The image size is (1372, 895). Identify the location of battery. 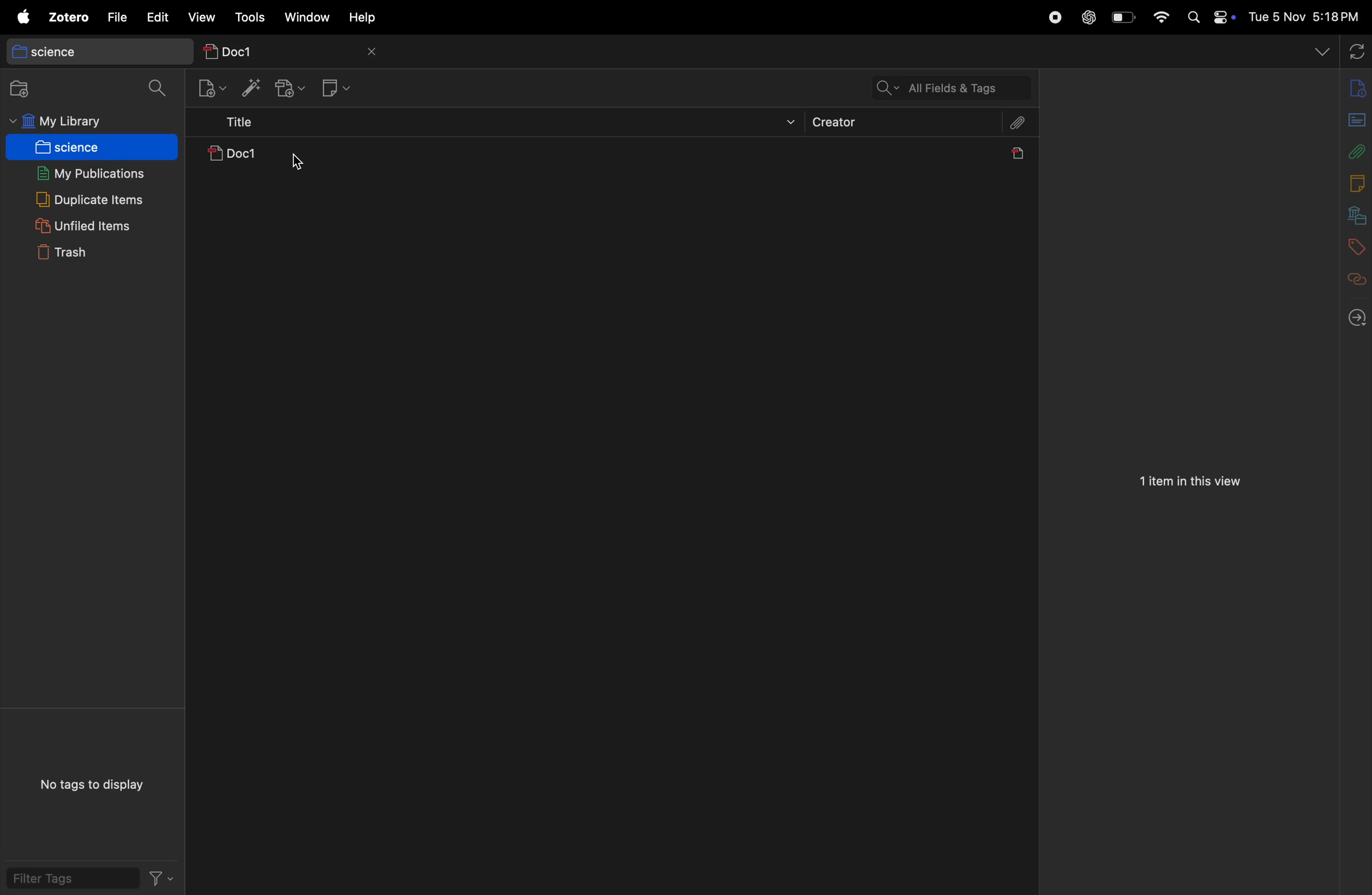
(1120, 17).